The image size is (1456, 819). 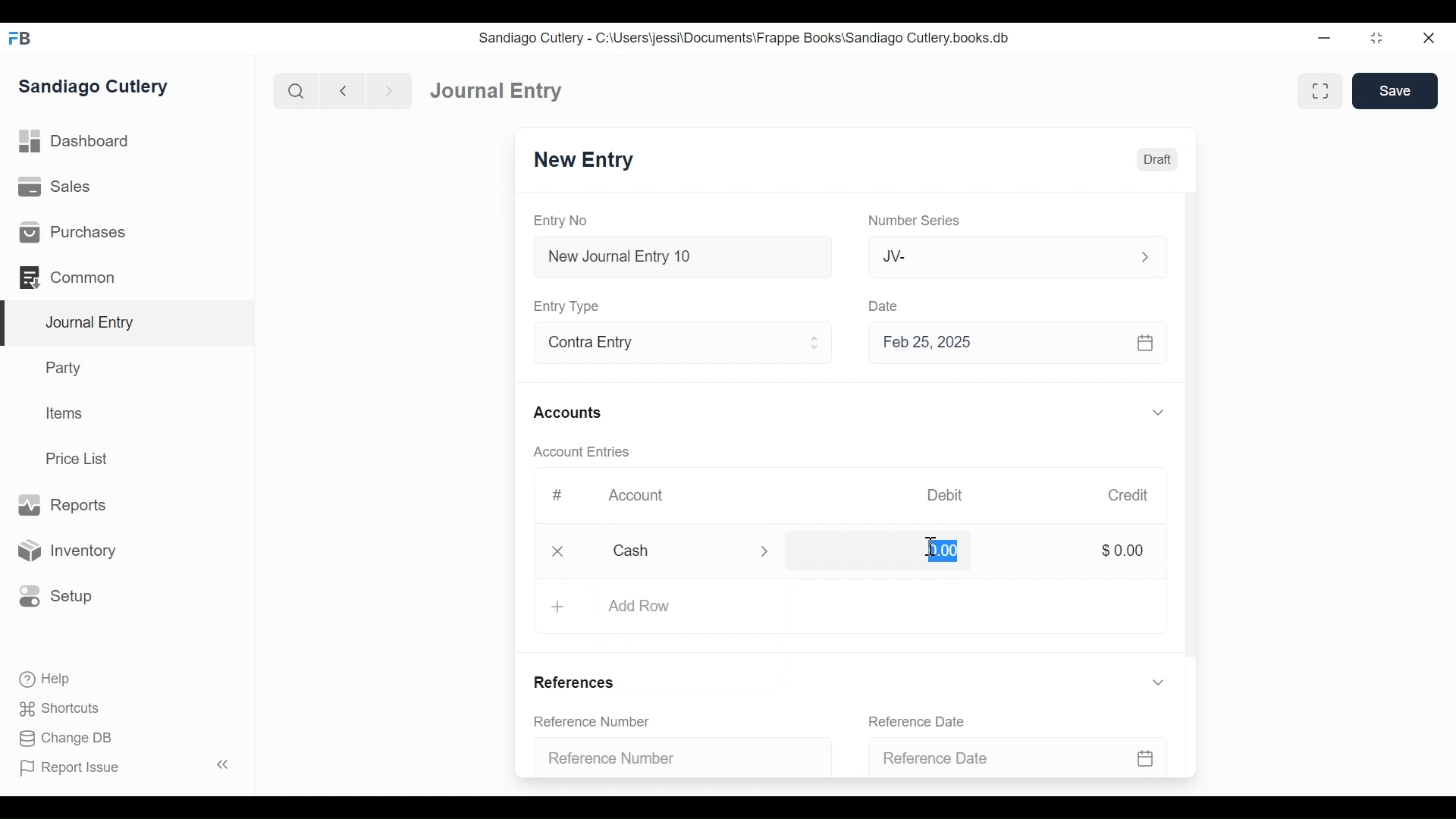 I want to click on Sandiago Cutlery - C:\Users\jessi\Documents\Frappe Books\Sandiago Cutlery.books.db, so click(x=747, y=39).